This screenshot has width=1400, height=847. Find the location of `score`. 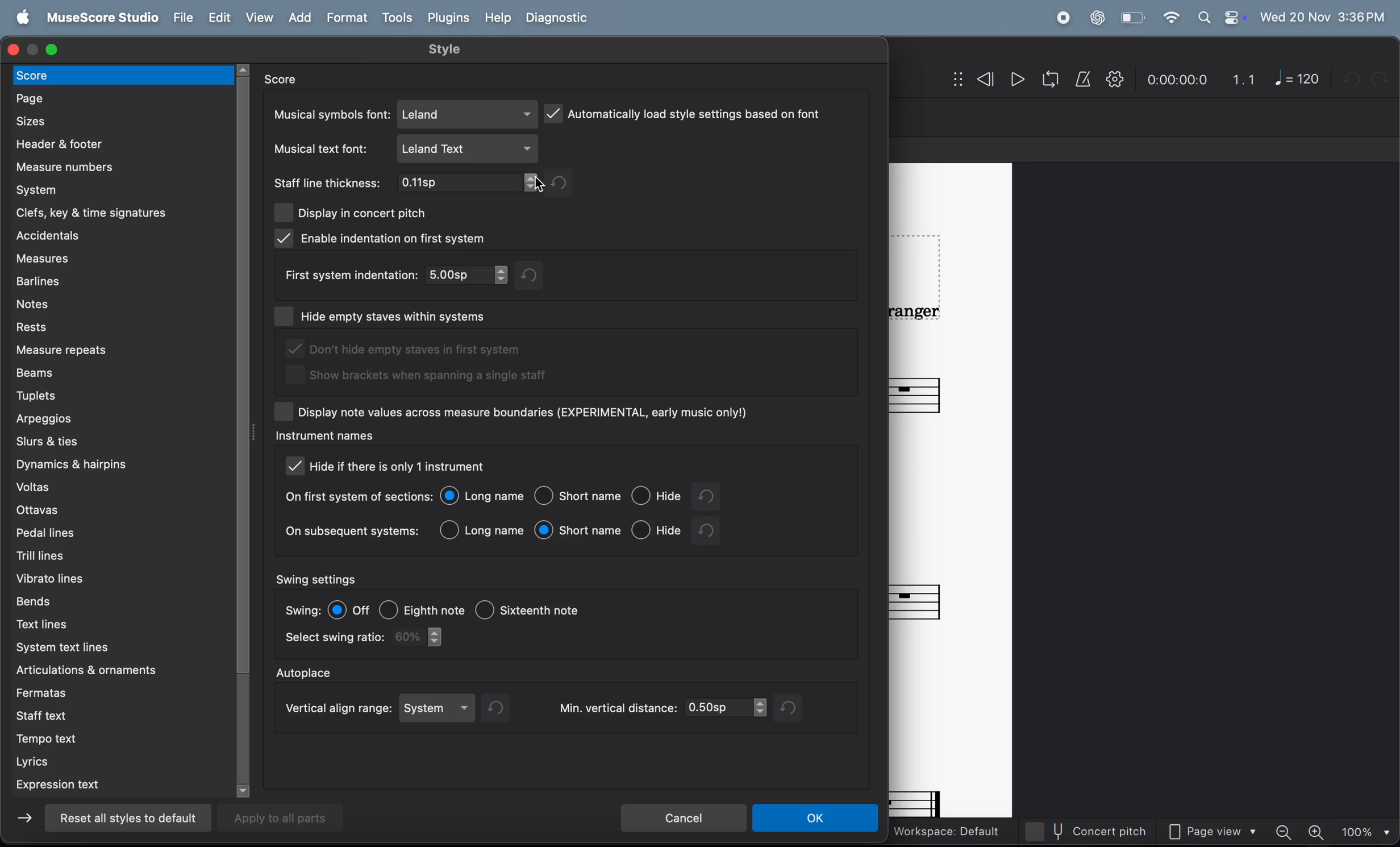

score is located at coordinates (124, 74).